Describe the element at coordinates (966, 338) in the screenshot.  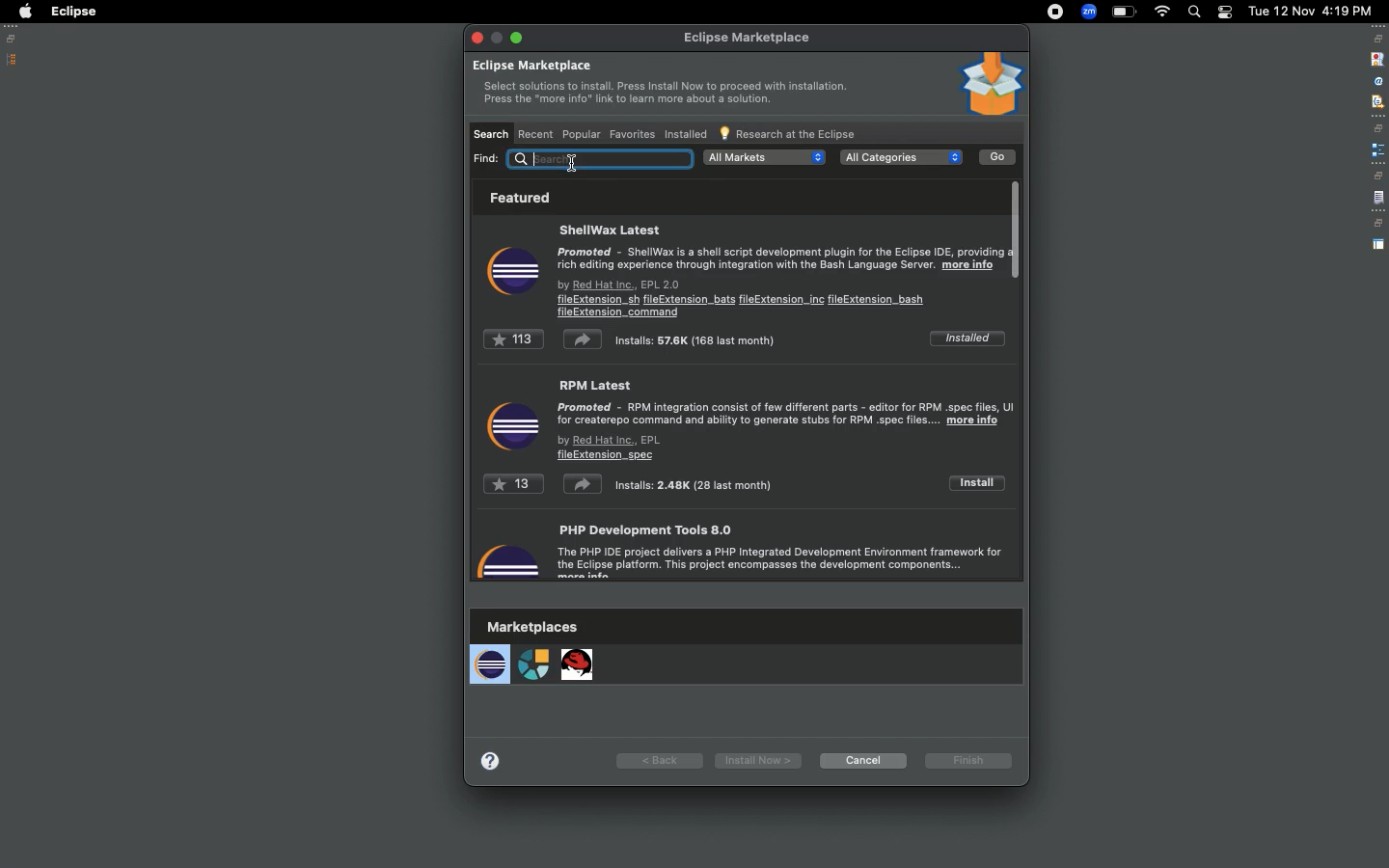
I see `Installed` at that location.